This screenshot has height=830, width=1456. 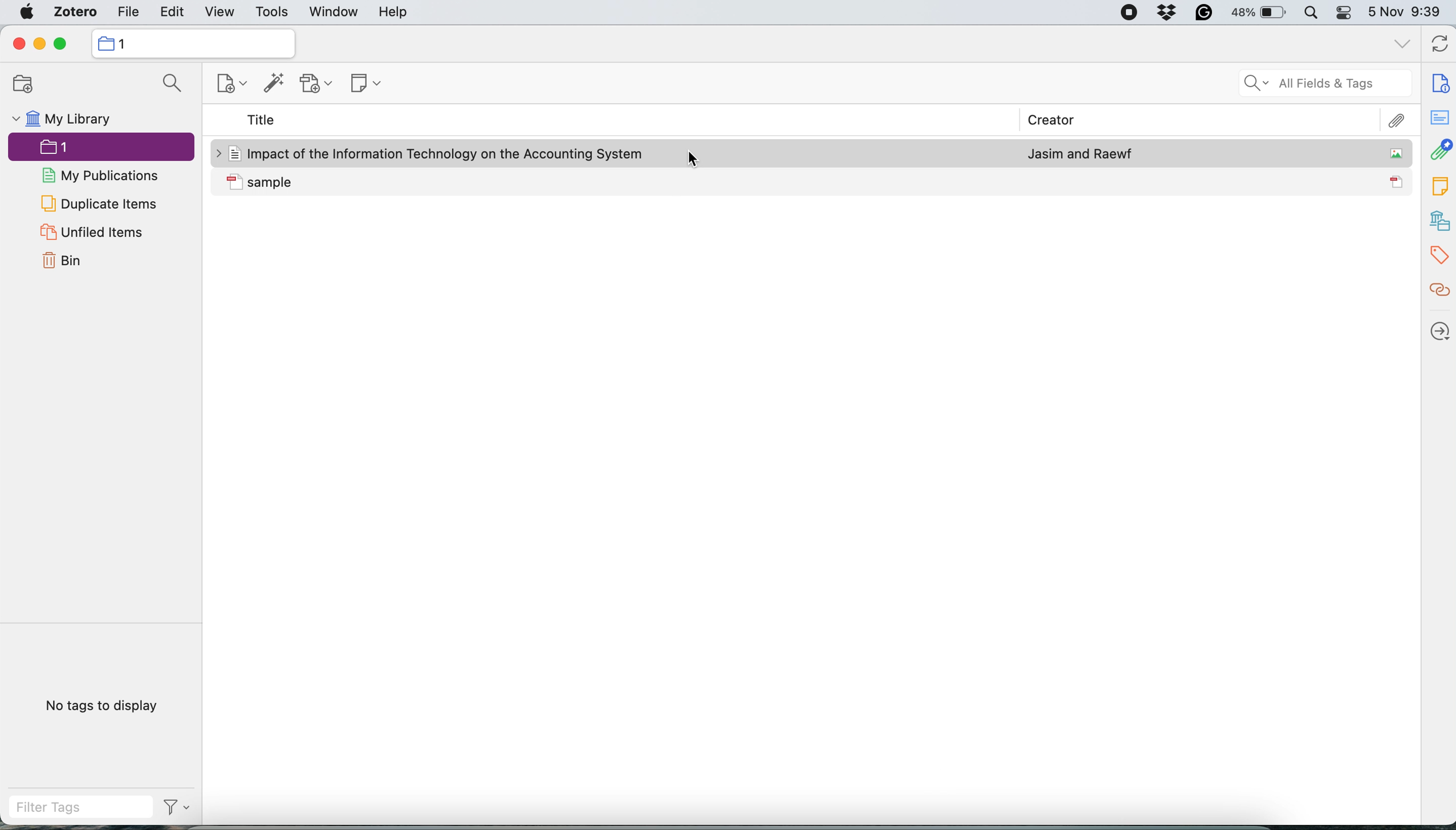 I want to click on refresh, so click(x=1442, y=43).